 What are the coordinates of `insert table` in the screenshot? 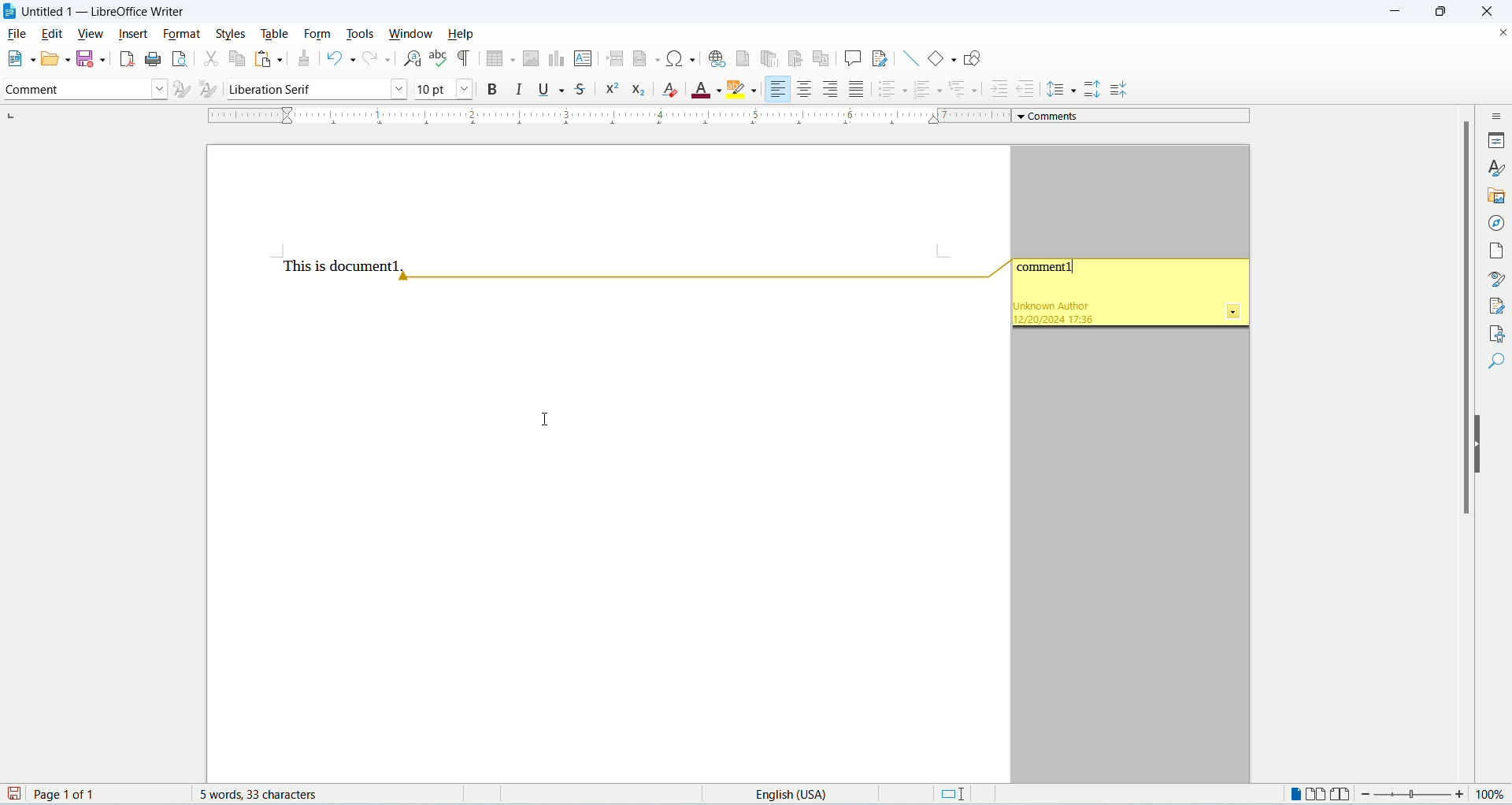 It's located at (502, 58).